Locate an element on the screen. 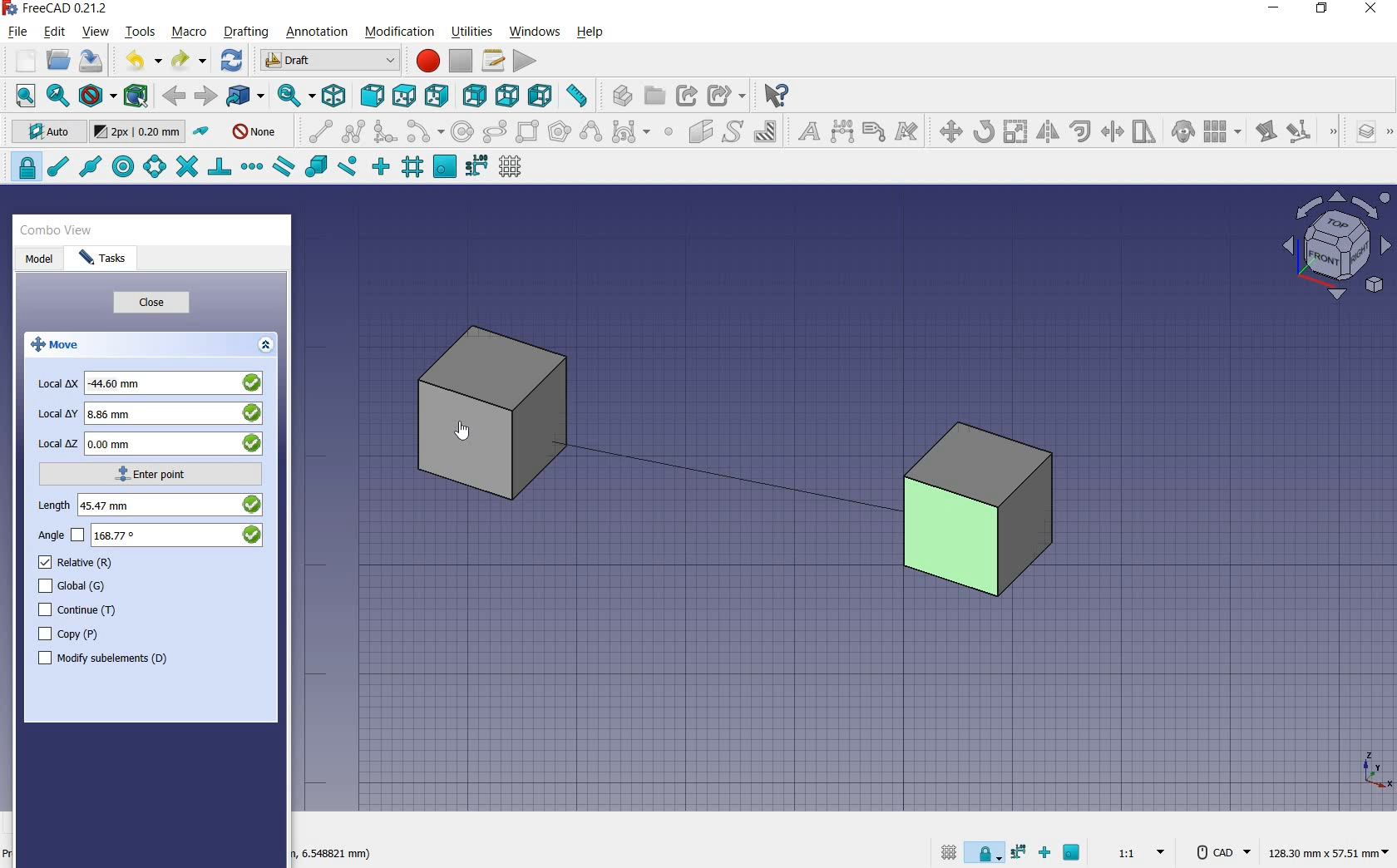  bottom is located at coordinates (507, 94).